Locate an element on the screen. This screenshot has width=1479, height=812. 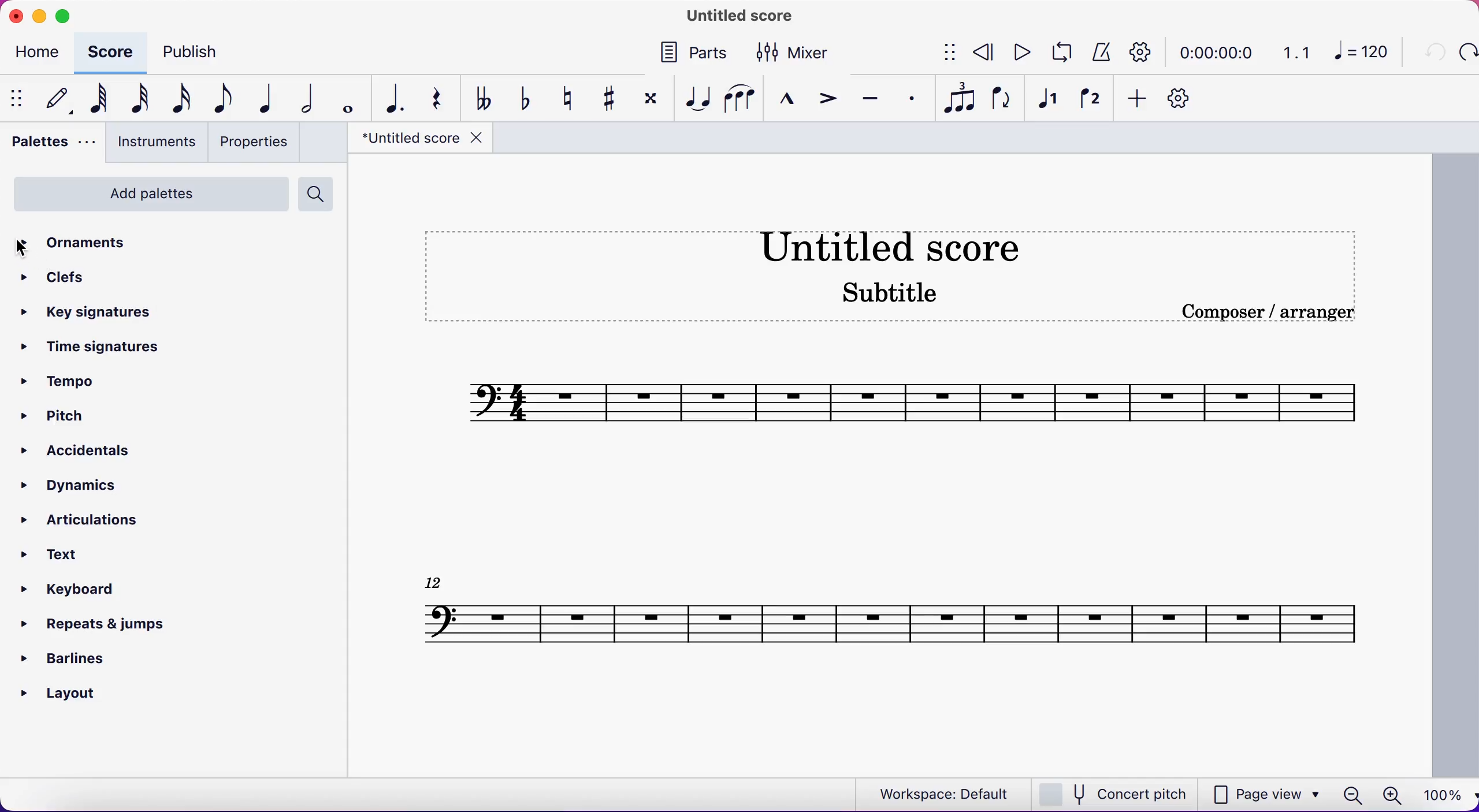
64th note is located at coordinates (94, 100).